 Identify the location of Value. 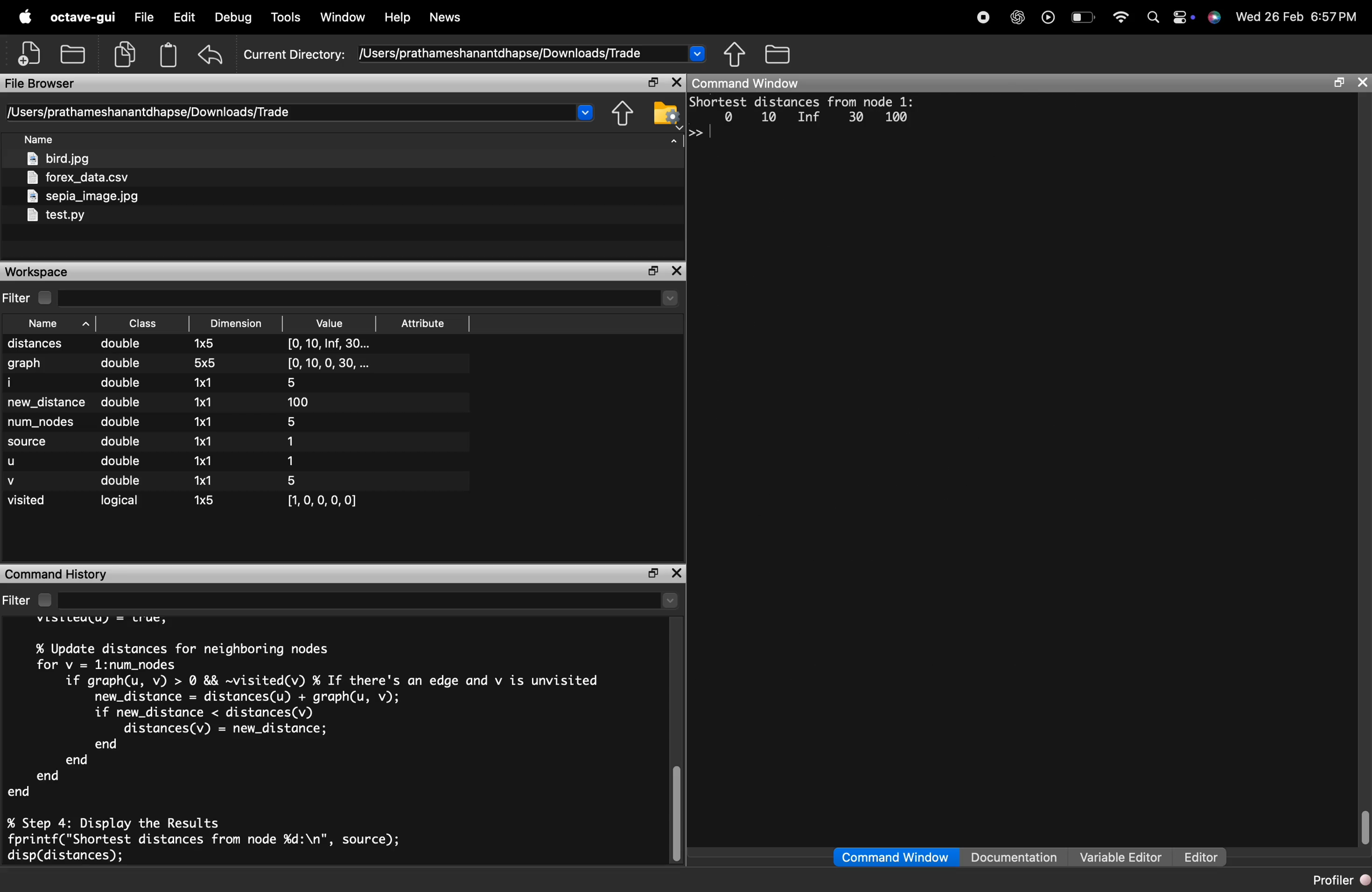
(330, 423).